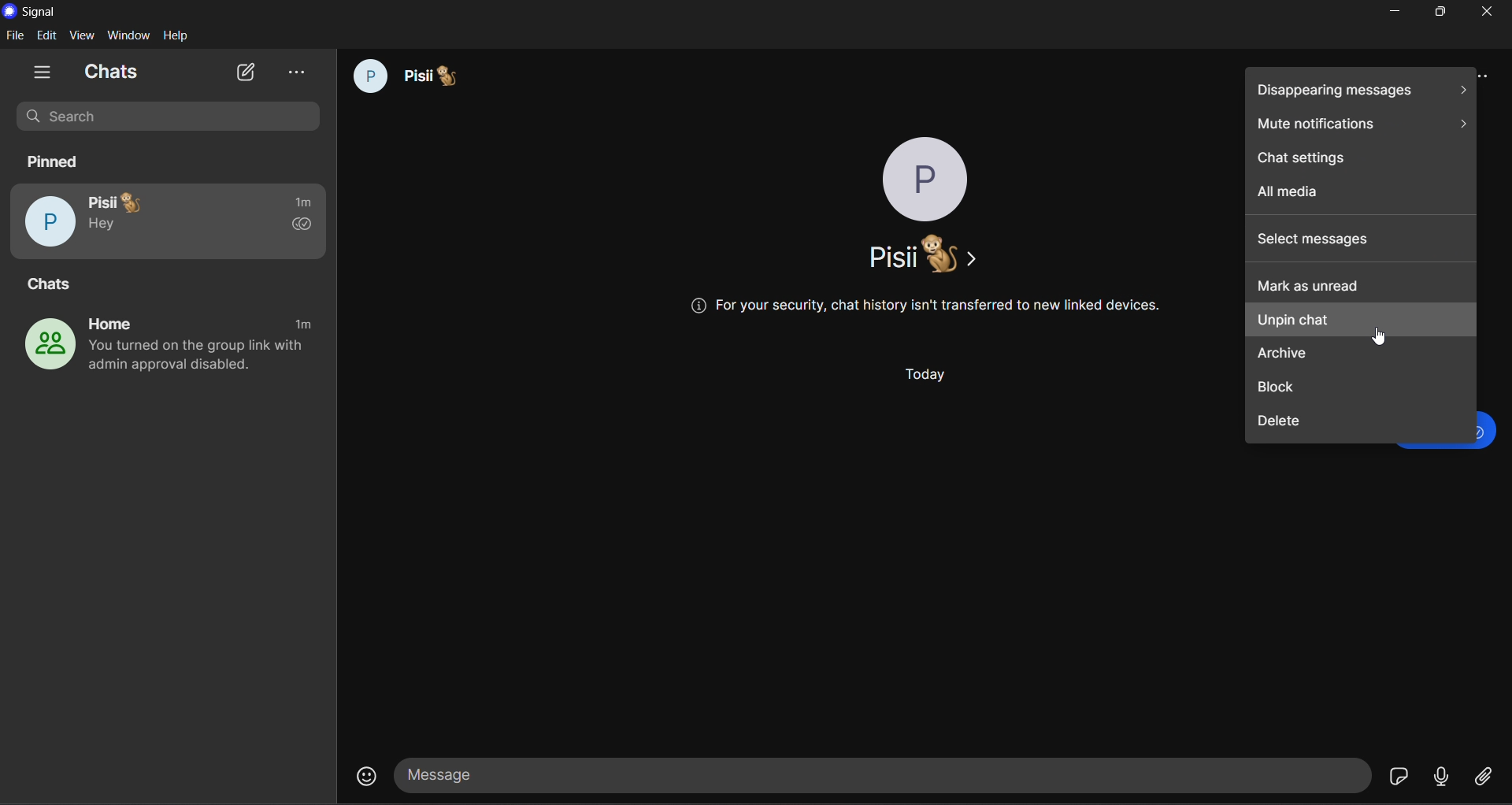  Describe the element at coordinates (1362, 424) in the screenshot. I see `delete` at that location.